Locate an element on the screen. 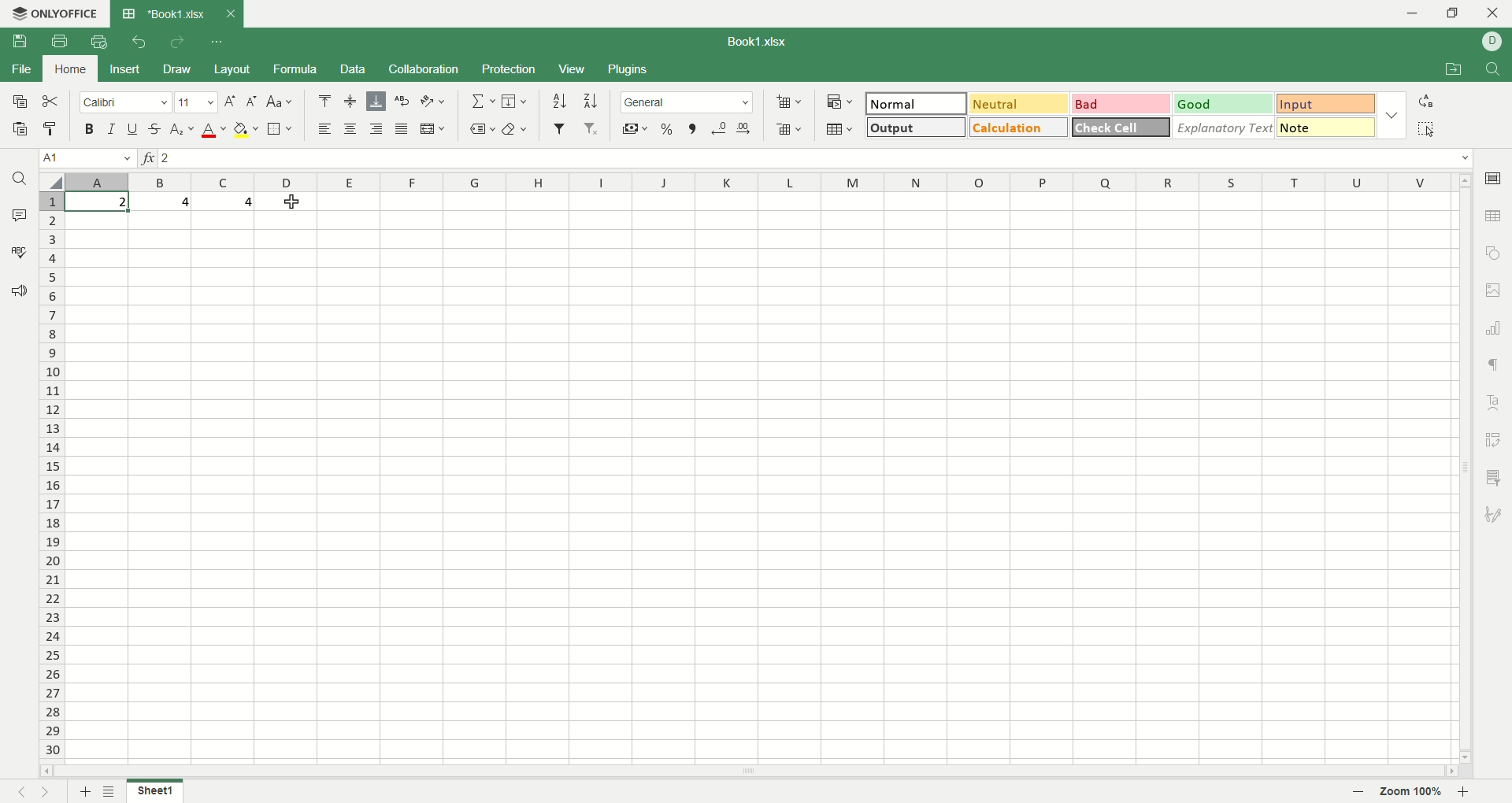 This screenshot has height=803, width=1512. file is located at coordinates (20, 68).